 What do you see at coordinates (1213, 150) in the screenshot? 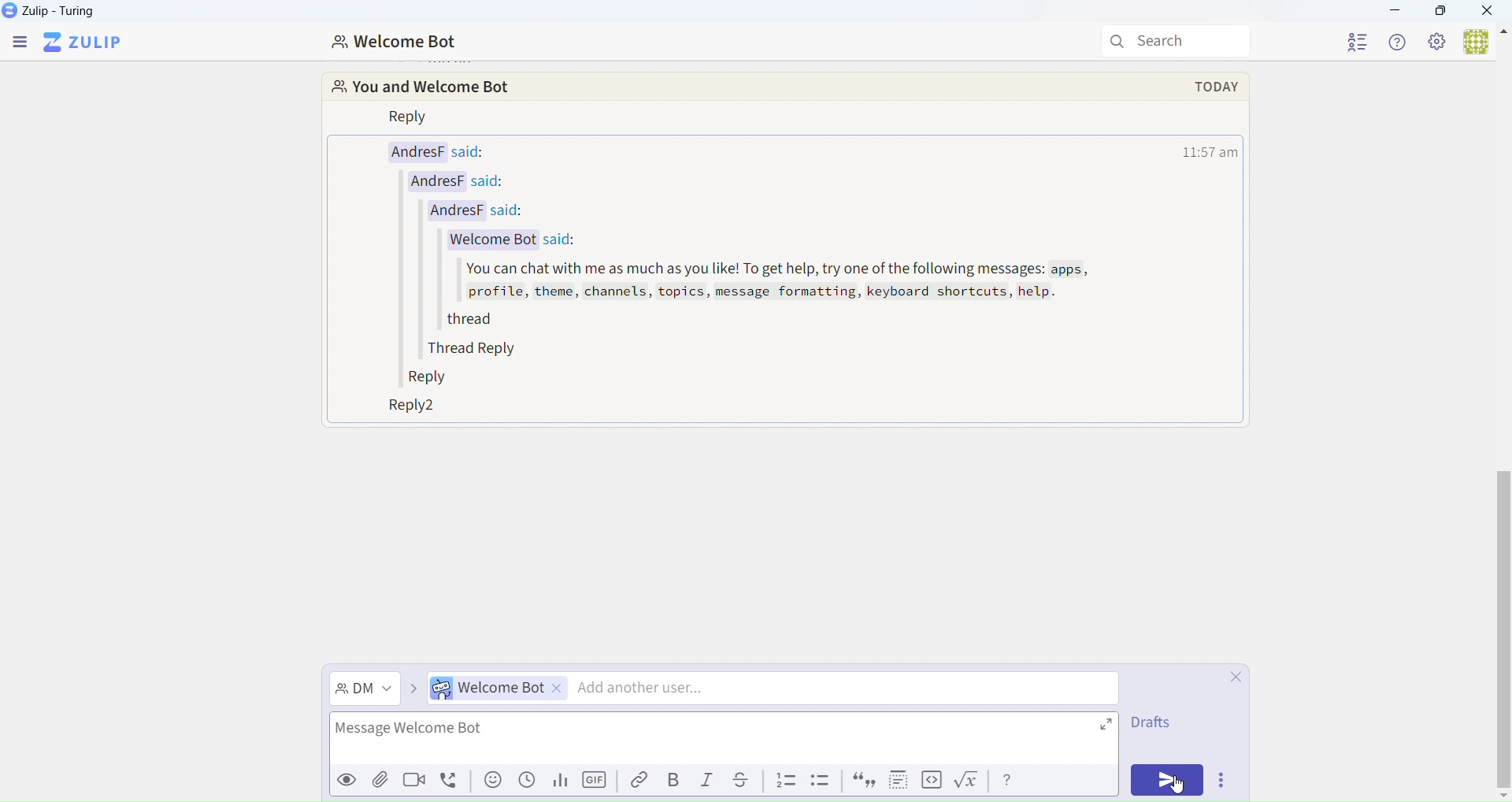
I see `time` at bounding box center [1213, 150].